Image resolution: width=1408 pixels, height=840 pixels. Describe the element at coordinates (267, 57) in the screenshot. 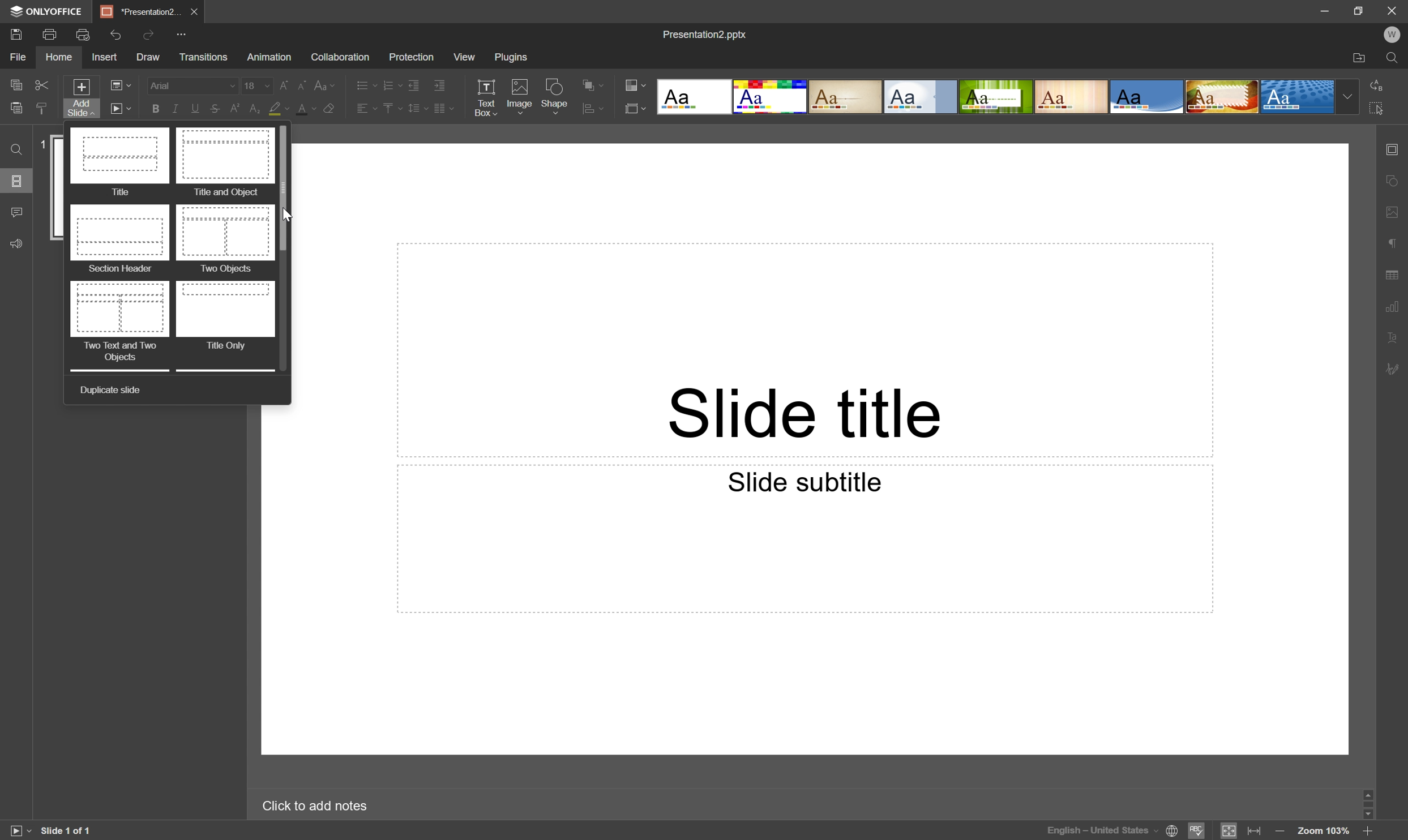

I see `Animation` at that location.